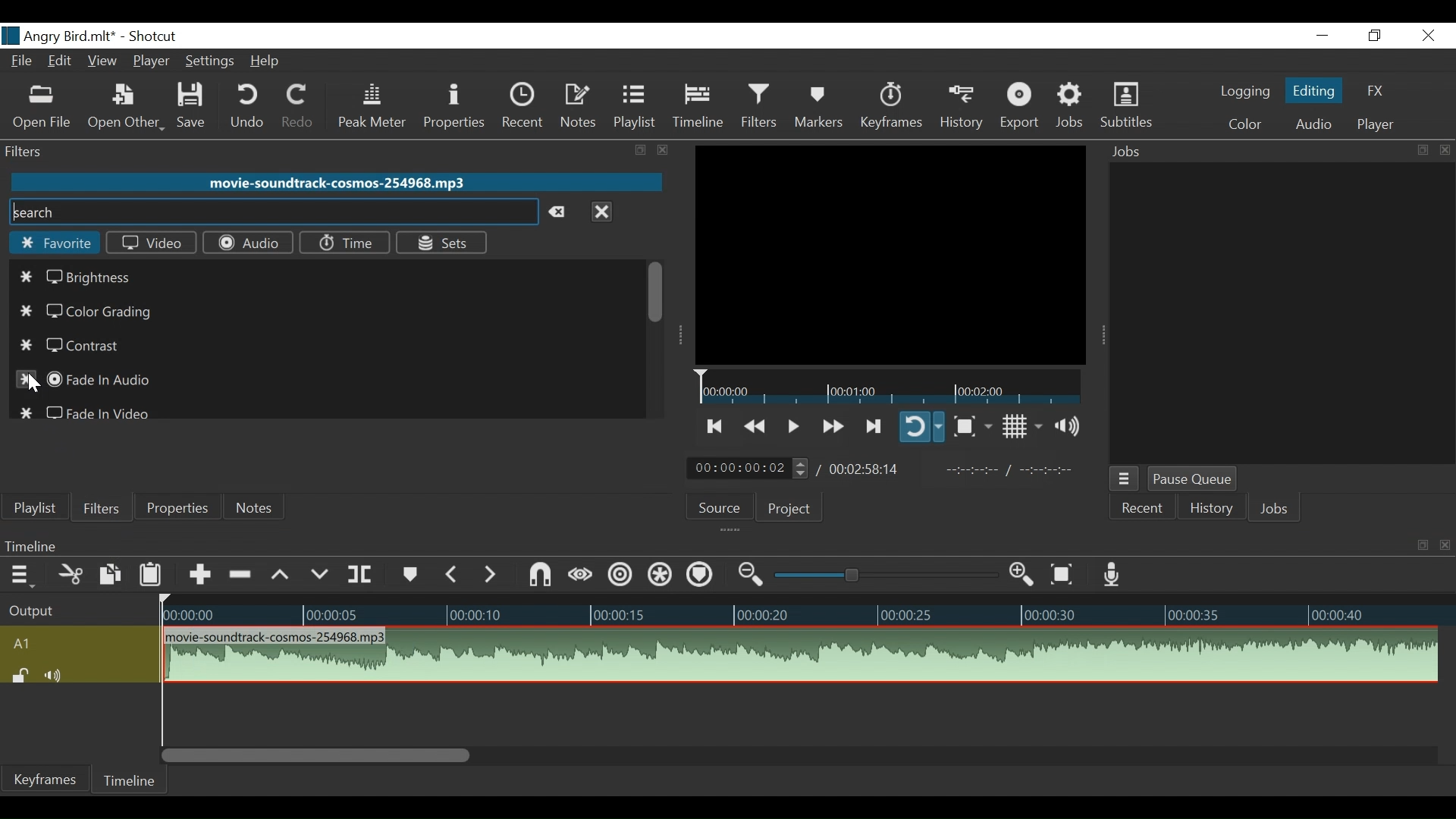 The height and width of the screenshot is (819, 1456). I want to click on Properties, so click(457, 105).